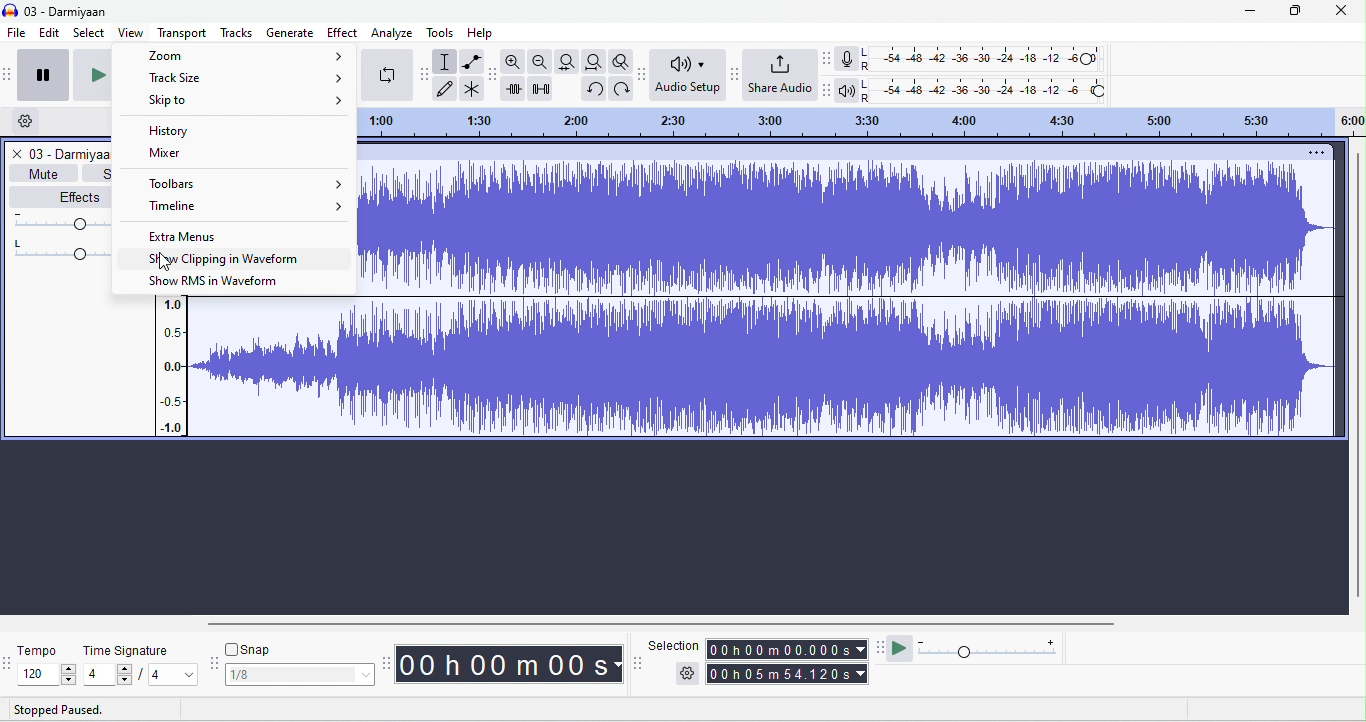 The image size is (1366, 722). Describe the element at coordinates (541, 62) in the screenshot. I see `zoom out` at that location.